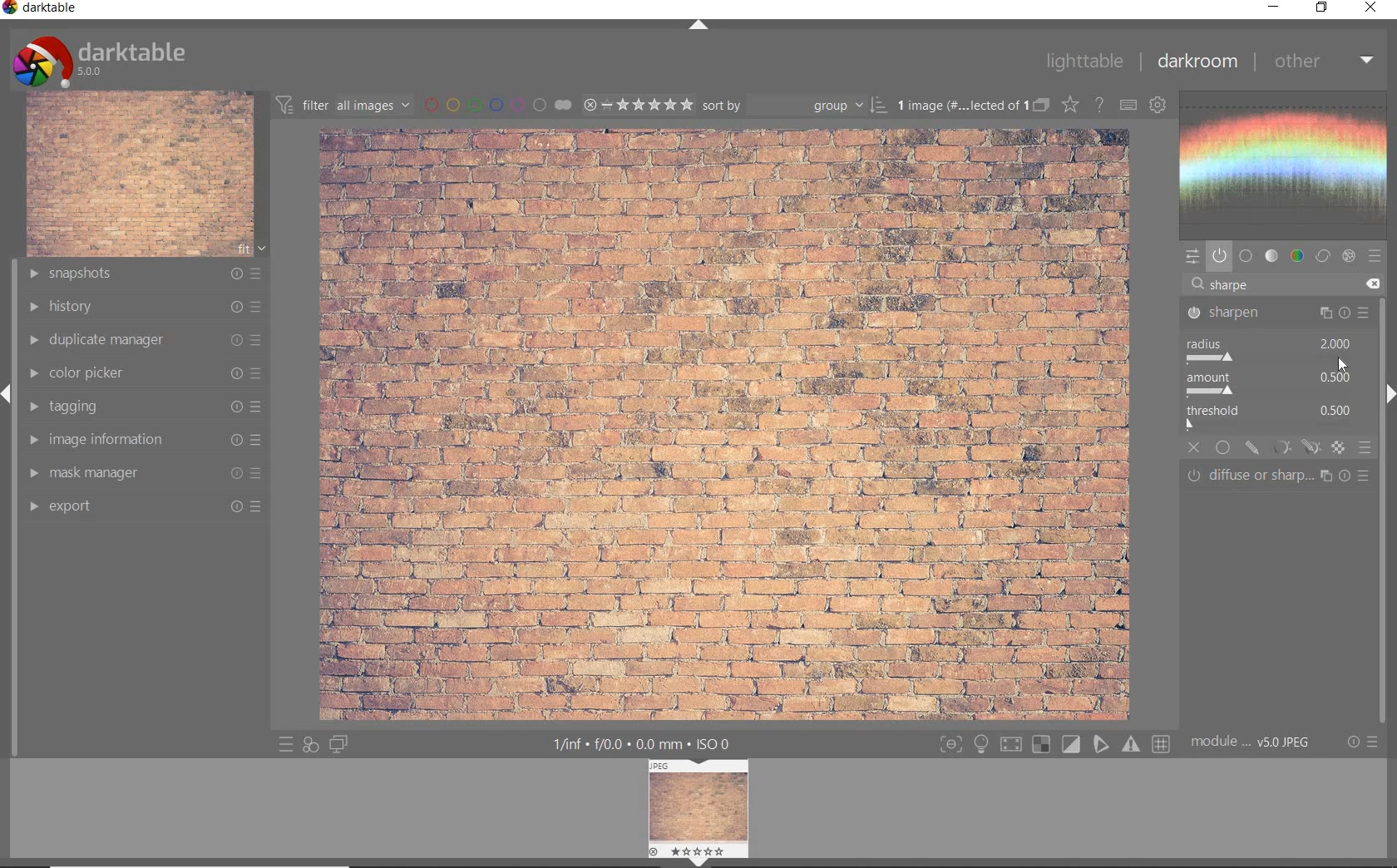  Describe the element at coordinates (1271, 6) in the screenshot. I see `minimize` at that location.